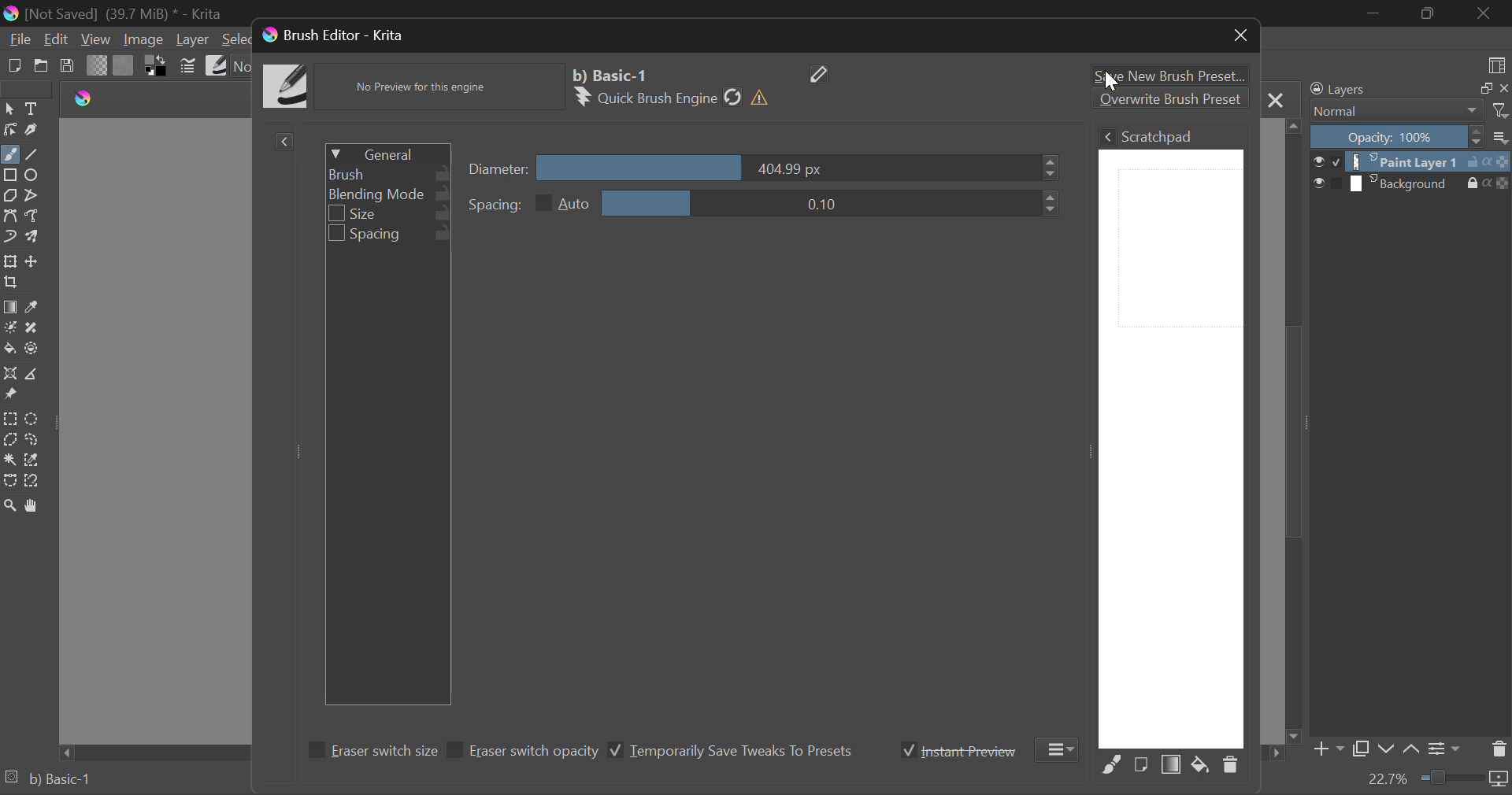  I want to click on Copy Layer, so click(1362, 749).